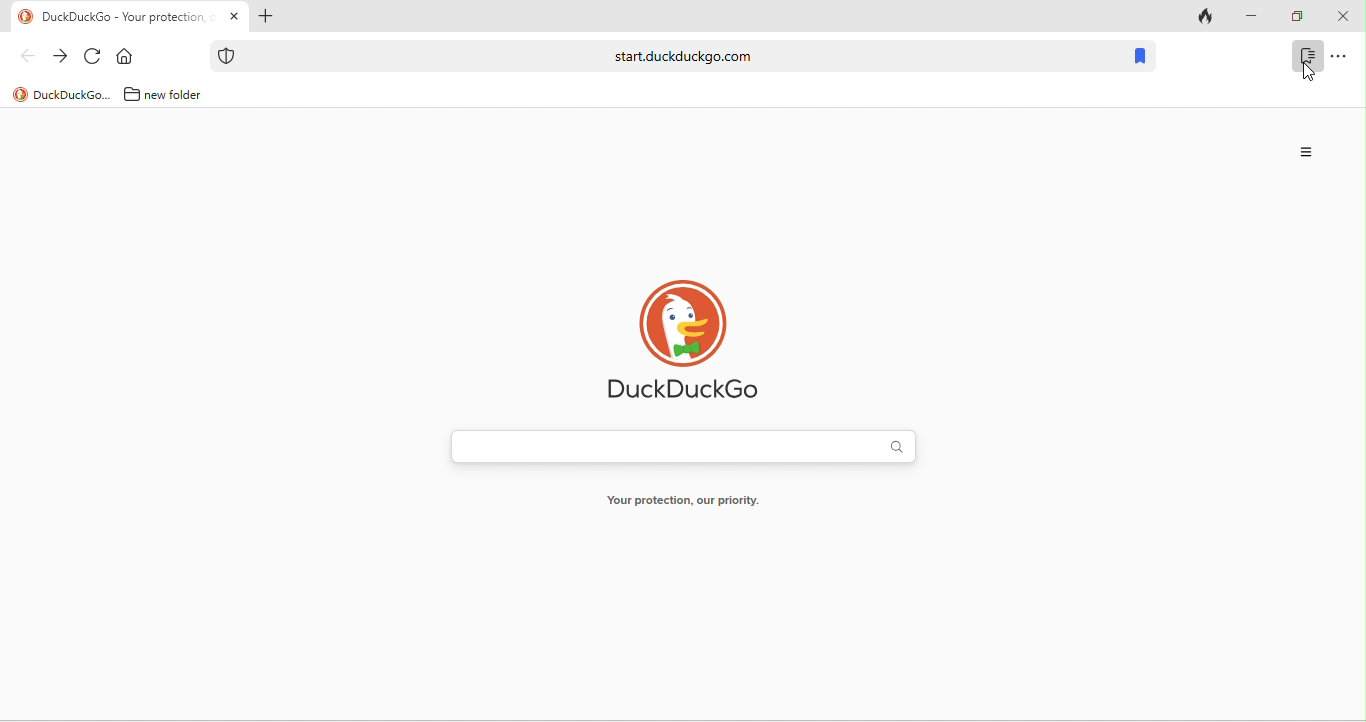 This screenshot has height=722, width=1366. I want to click on close tab, so click(234, 15).